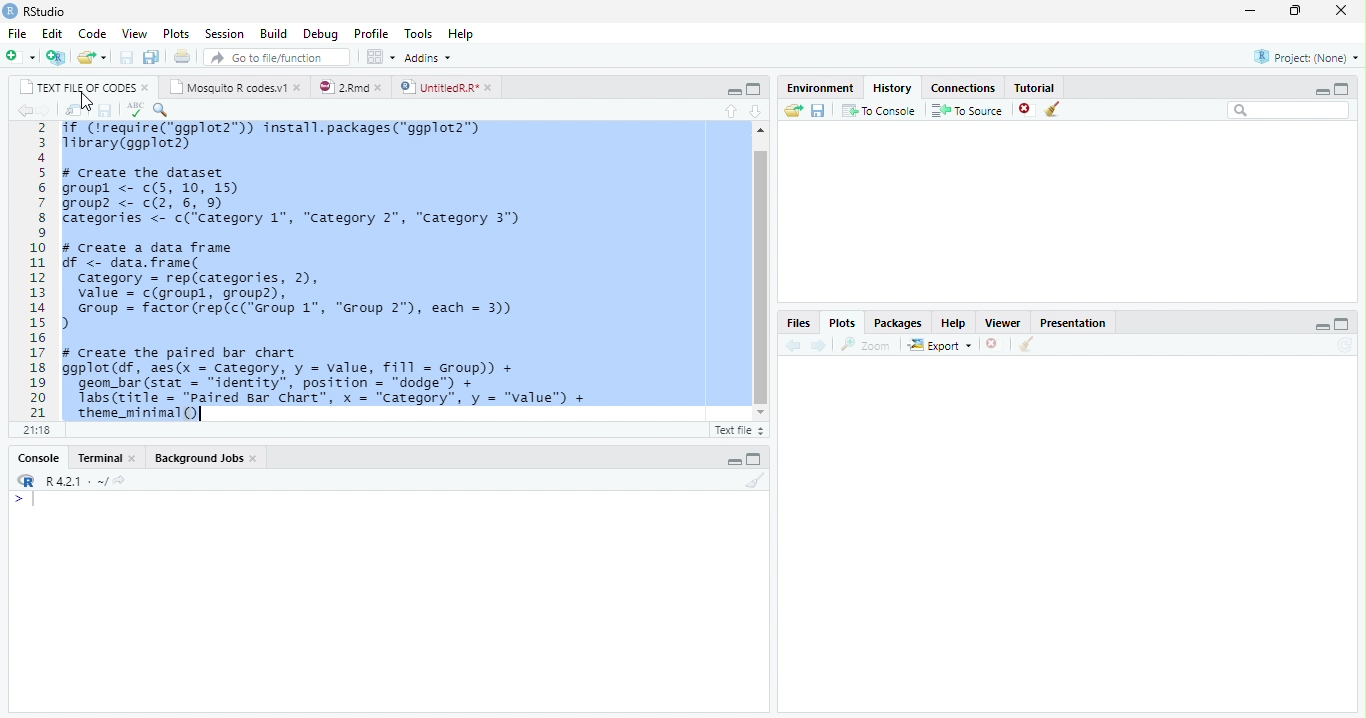 The width and height of the screenshot is (1366, 718). Describe the element at coordinates (1339, 11) in the screenshot. I see `close` at that location.